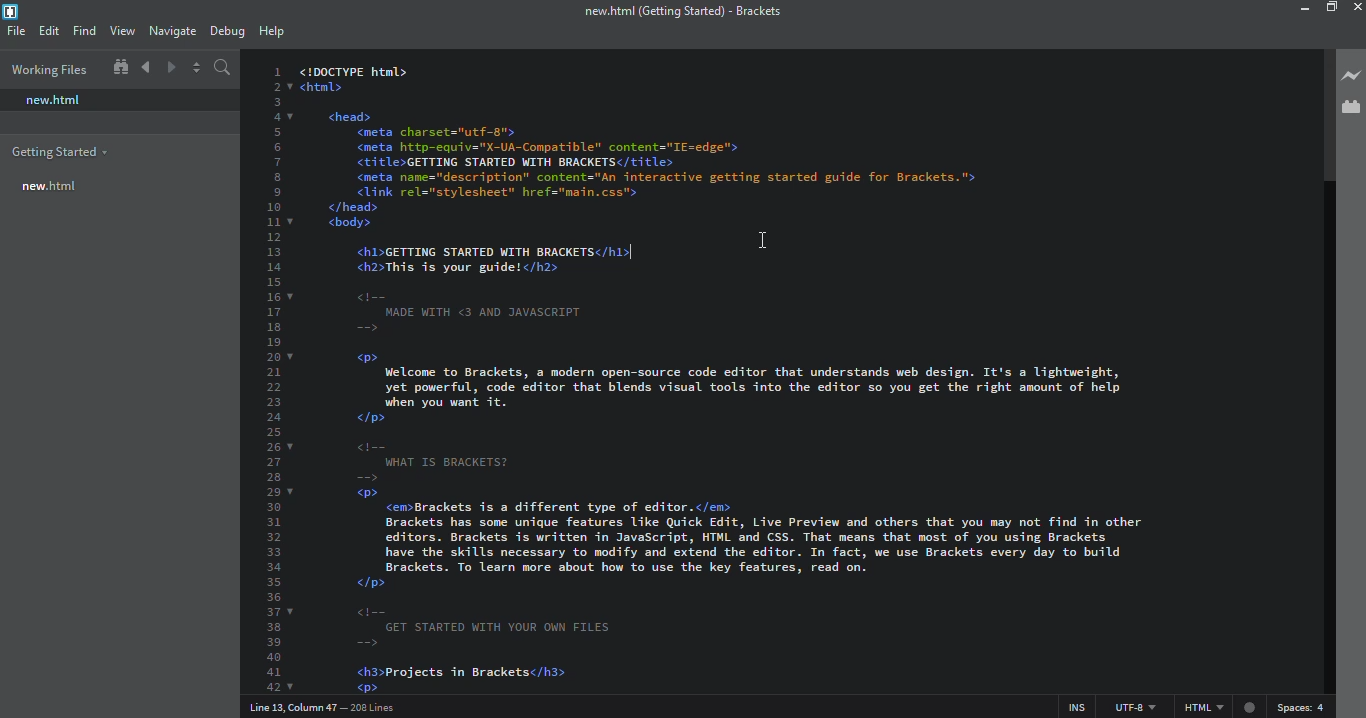 The width and height of the screenshot is (1366, 718). Describe the element at coordinates (173, 29) in the screenshot. I see `navigate` at that location.